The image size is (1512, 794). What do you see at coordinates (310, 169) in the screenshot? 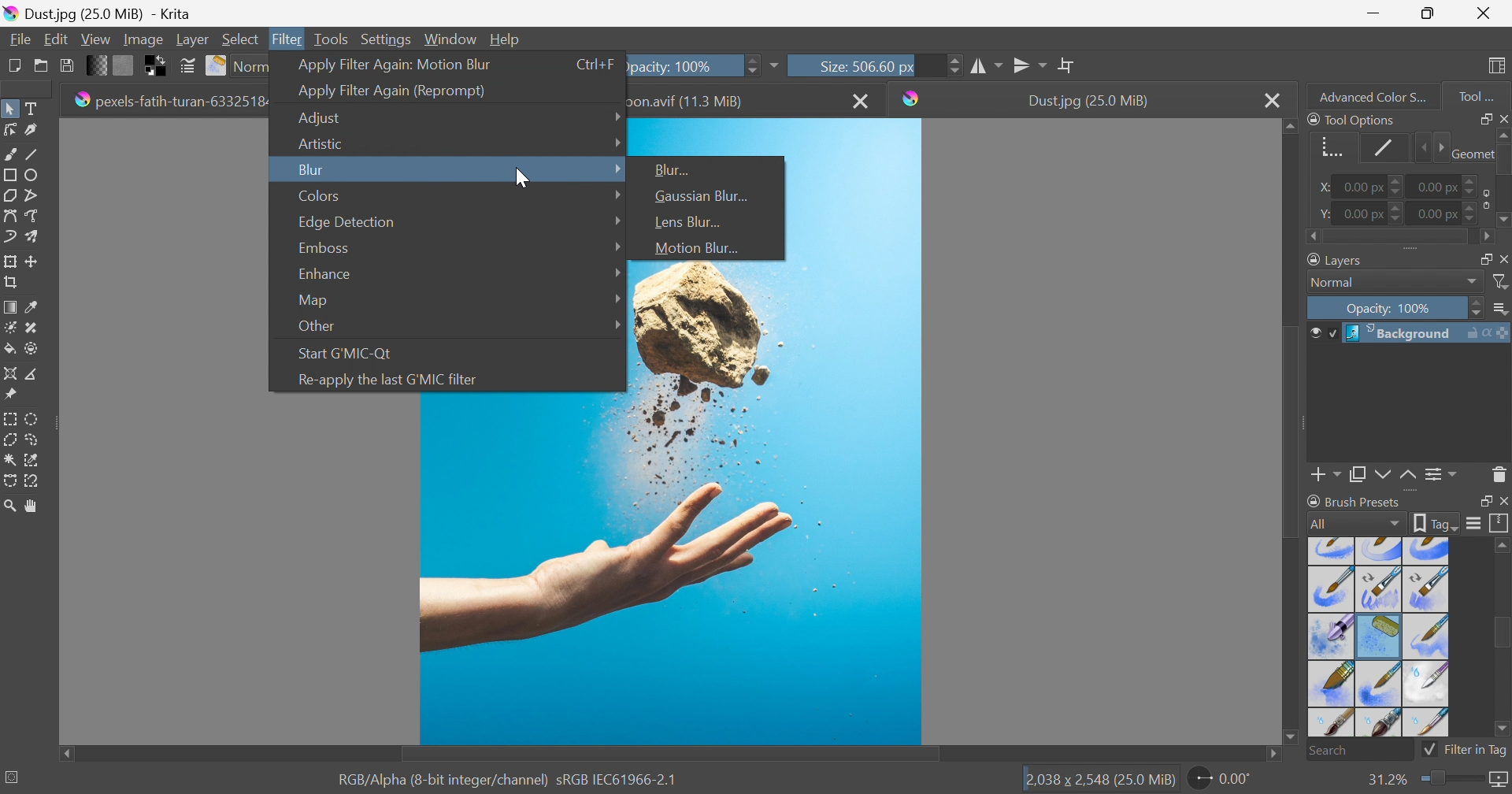
I see `Blur` at bounding box center [310, 169].